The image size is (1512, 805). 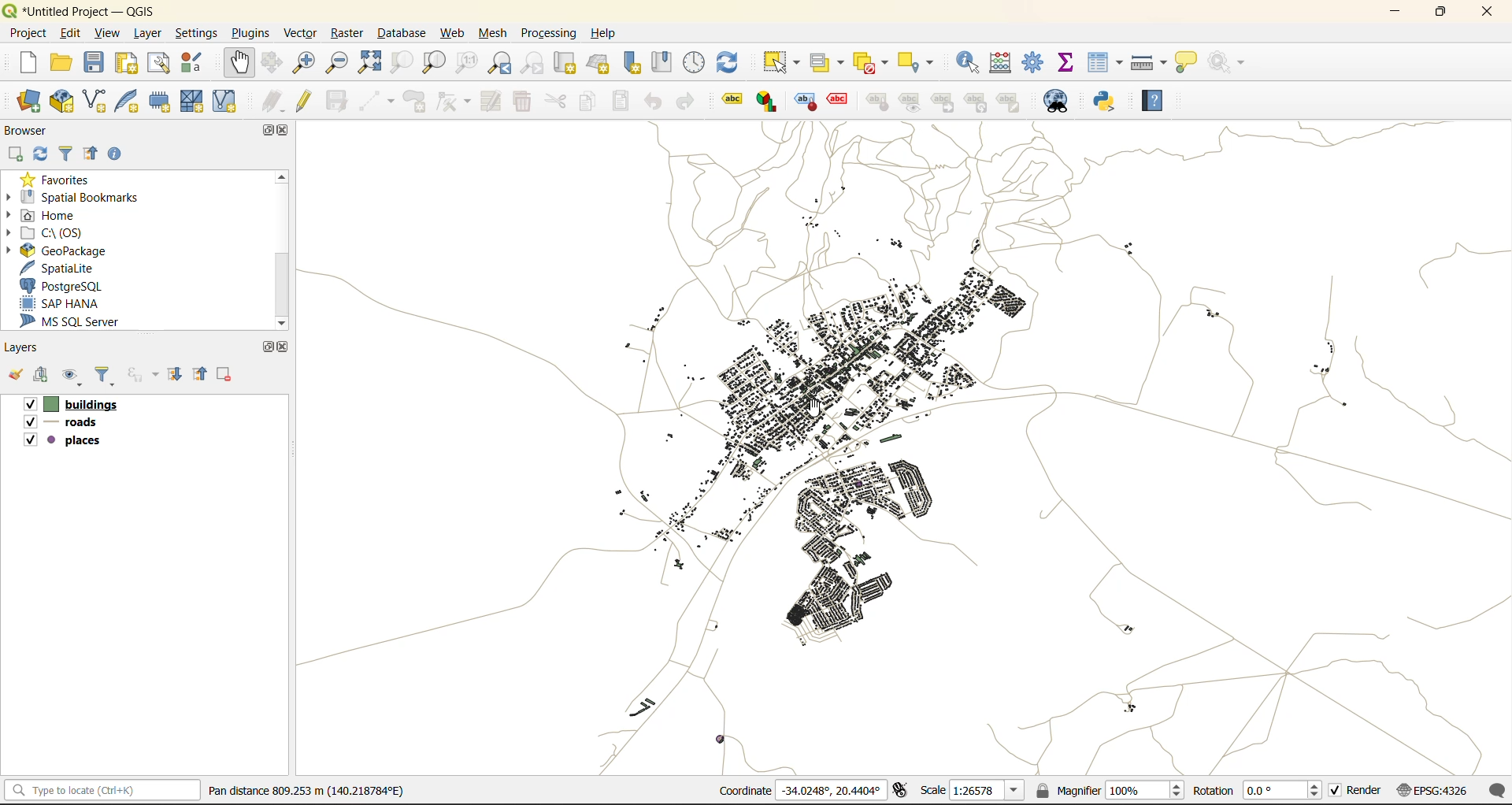 What do you see at coordinates (1436, 791) in the screenshot?
I see `crs` at bounding box center [1436, 791].